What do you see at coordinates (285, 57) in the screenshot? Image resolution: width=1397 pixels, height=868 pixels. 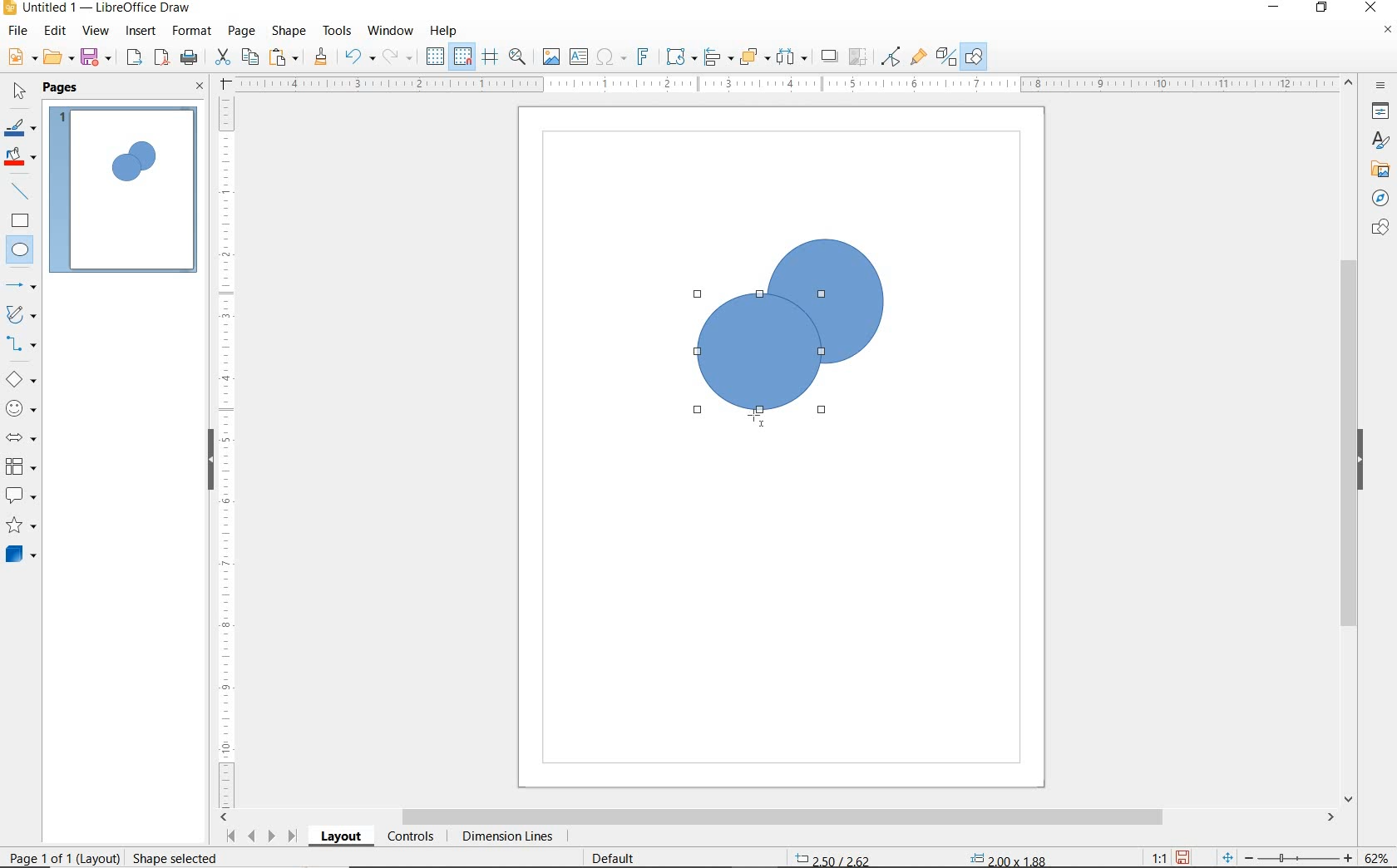 I see `PASTE` at bounding box center [285, 57].